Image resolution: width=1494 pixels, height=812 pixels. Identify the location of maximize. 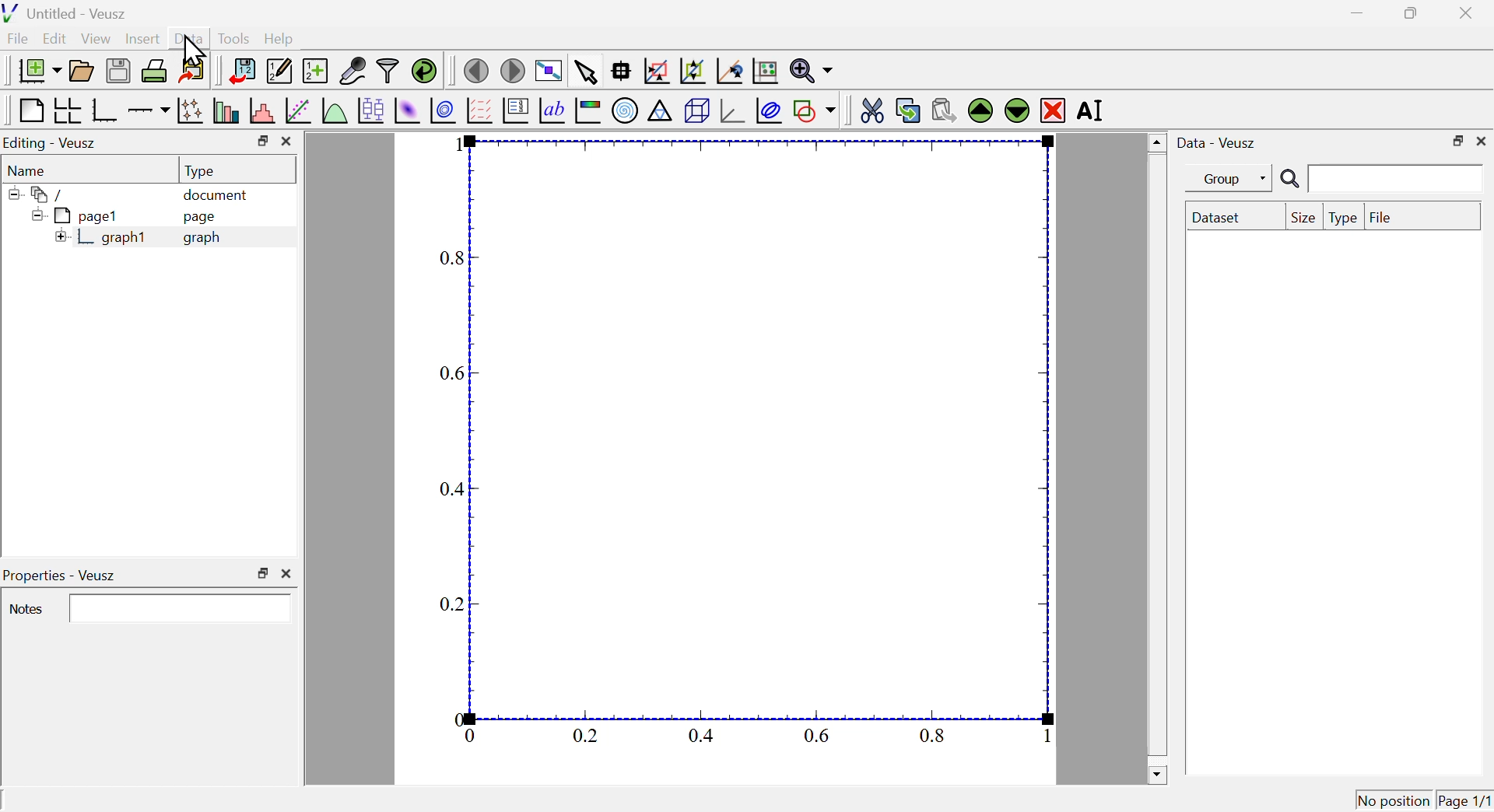
(260, 141).